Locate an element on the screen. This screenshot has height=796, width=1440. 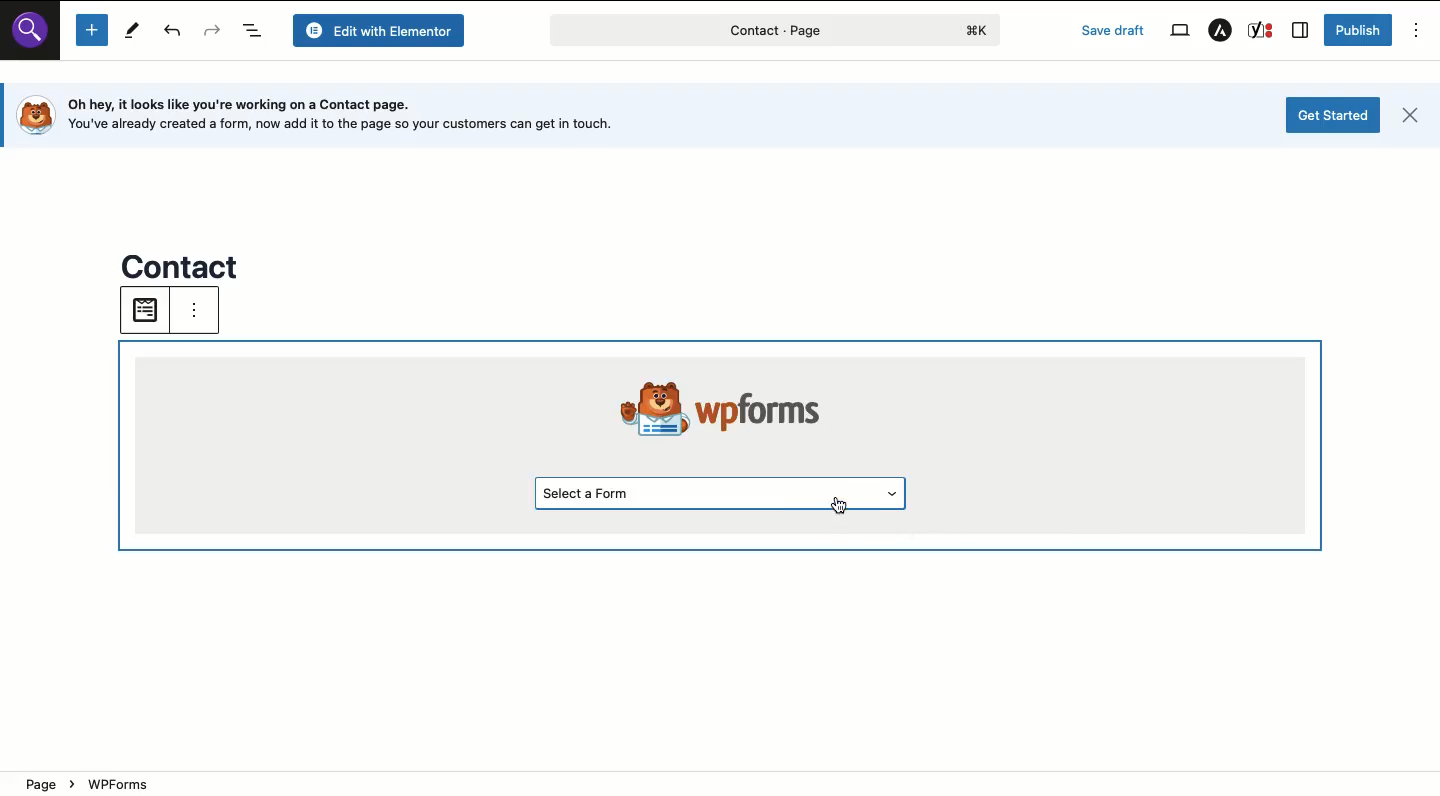
Oh hey, it looks like you're working on a Contact page.
[o} You've already created a form, now add it to the page so your customers can get in touch. is located at coordinates (360, 114).